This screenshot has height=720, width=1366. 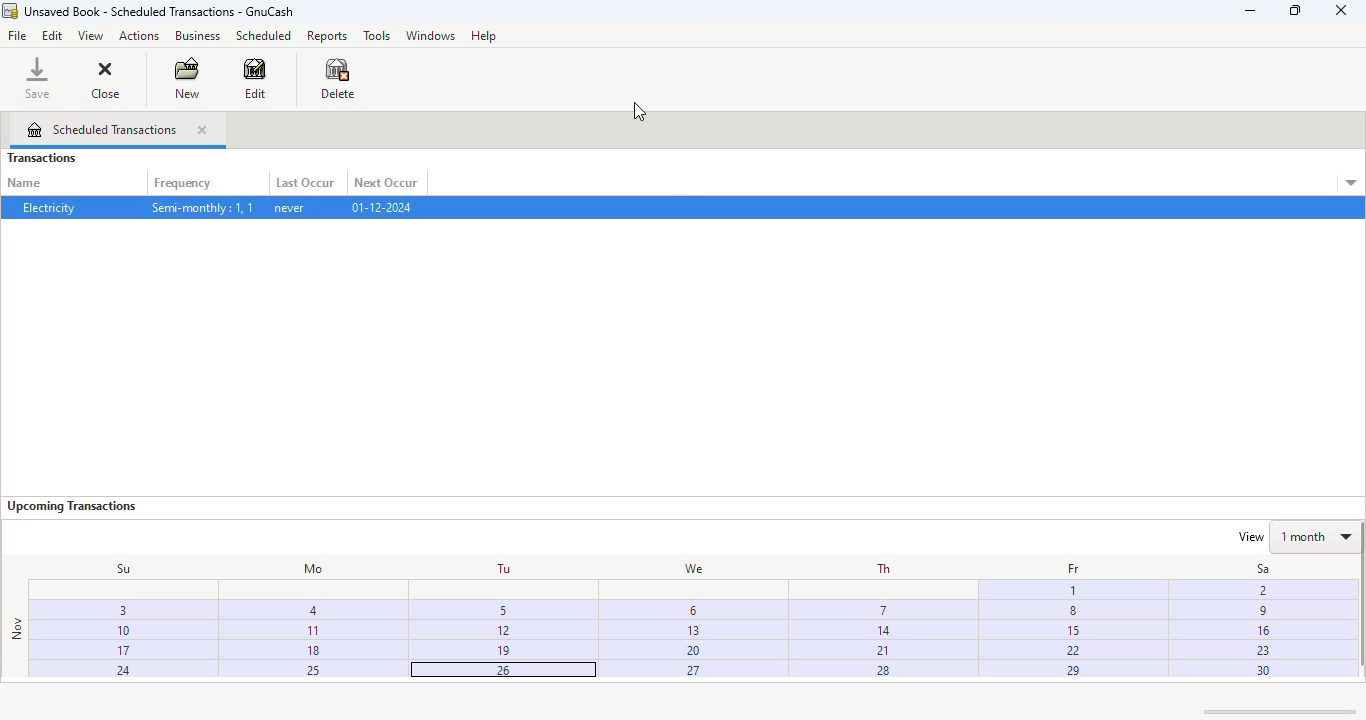 I want to click on help, so click(x=483, y=35).